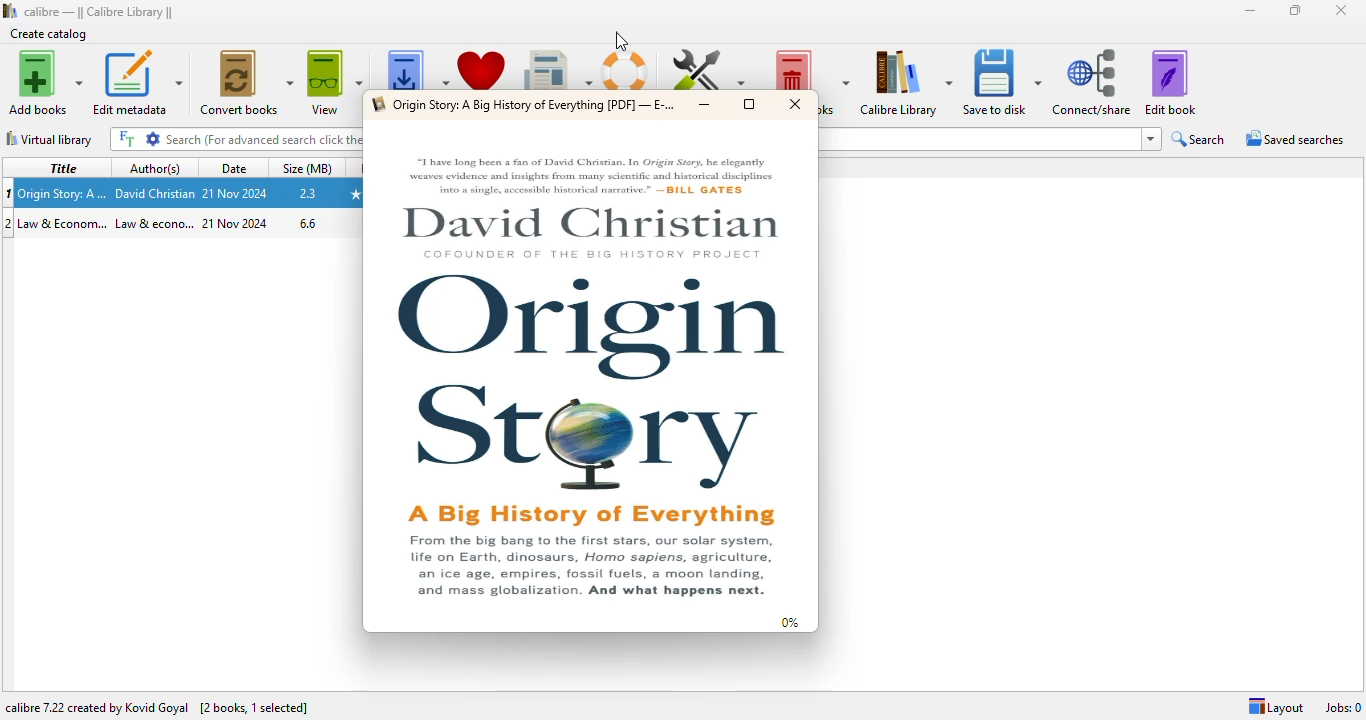 The height and width of the screenshot is (720, 1366). I want to click on FT, so click(126, 139).